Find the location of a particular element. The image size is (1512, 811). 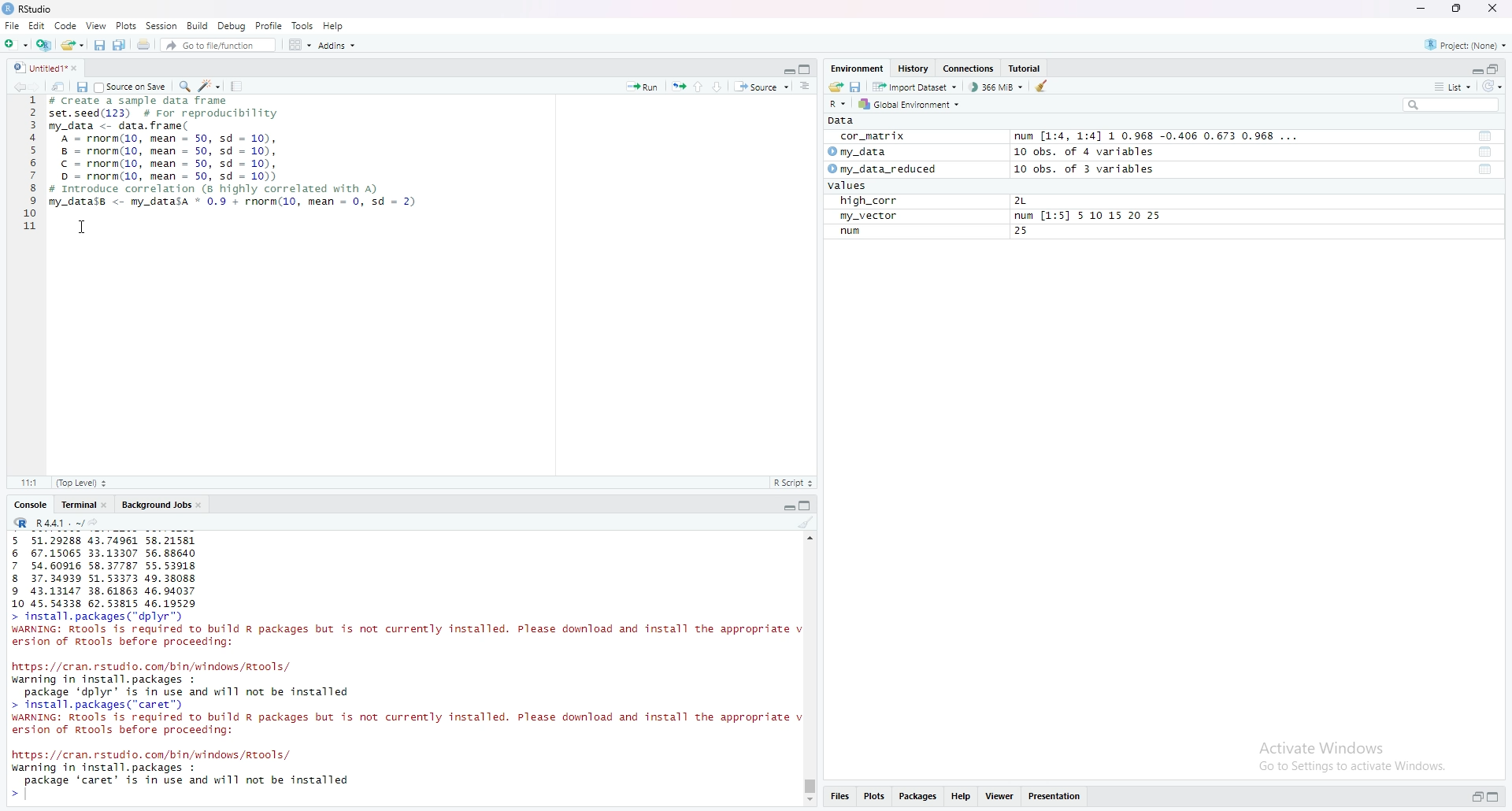

save is located at coordinates (80, 87).